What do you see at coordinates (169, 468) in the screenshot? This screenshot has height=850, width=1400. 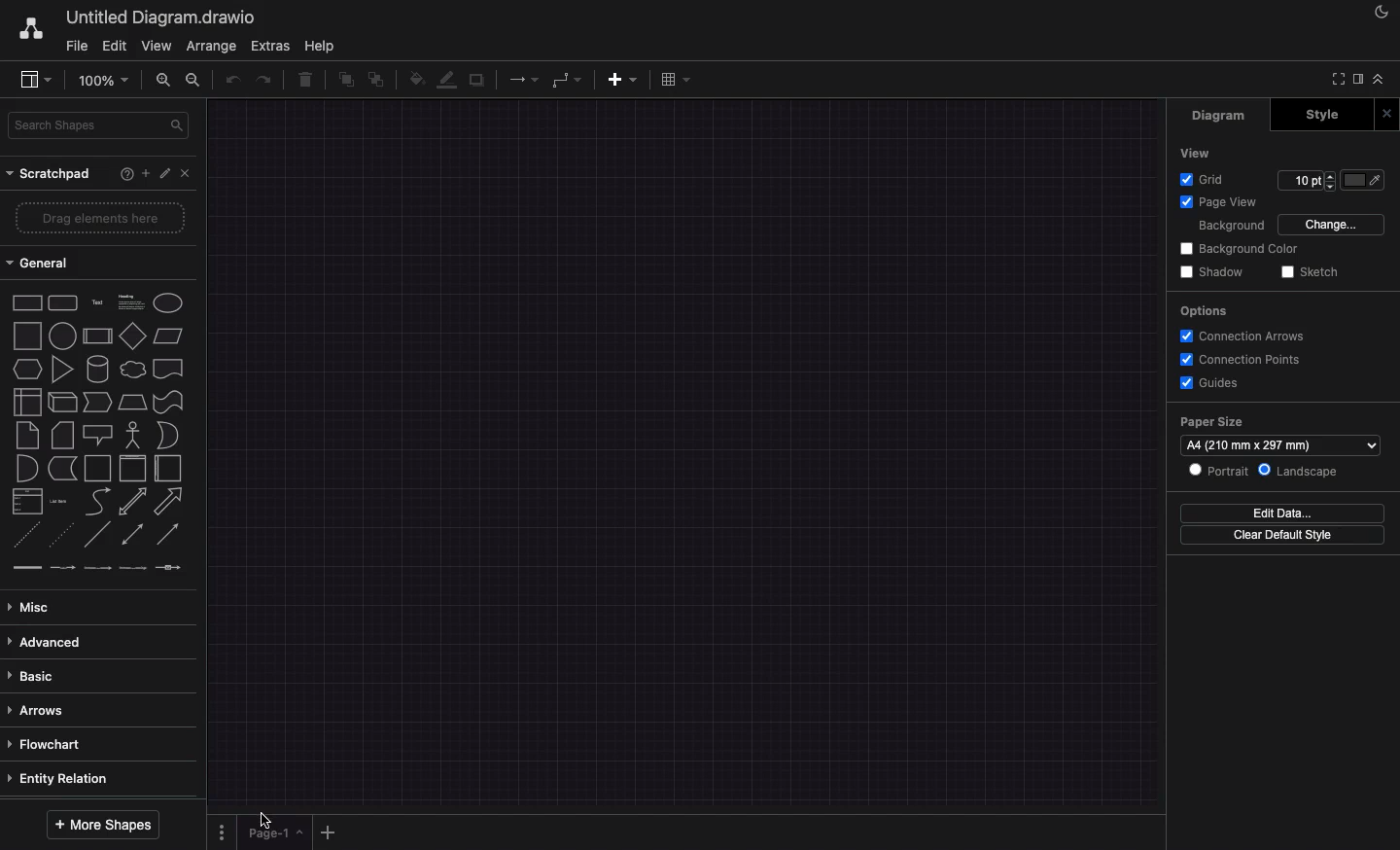 I see `horizontal container` at bounding box center [169, 468].